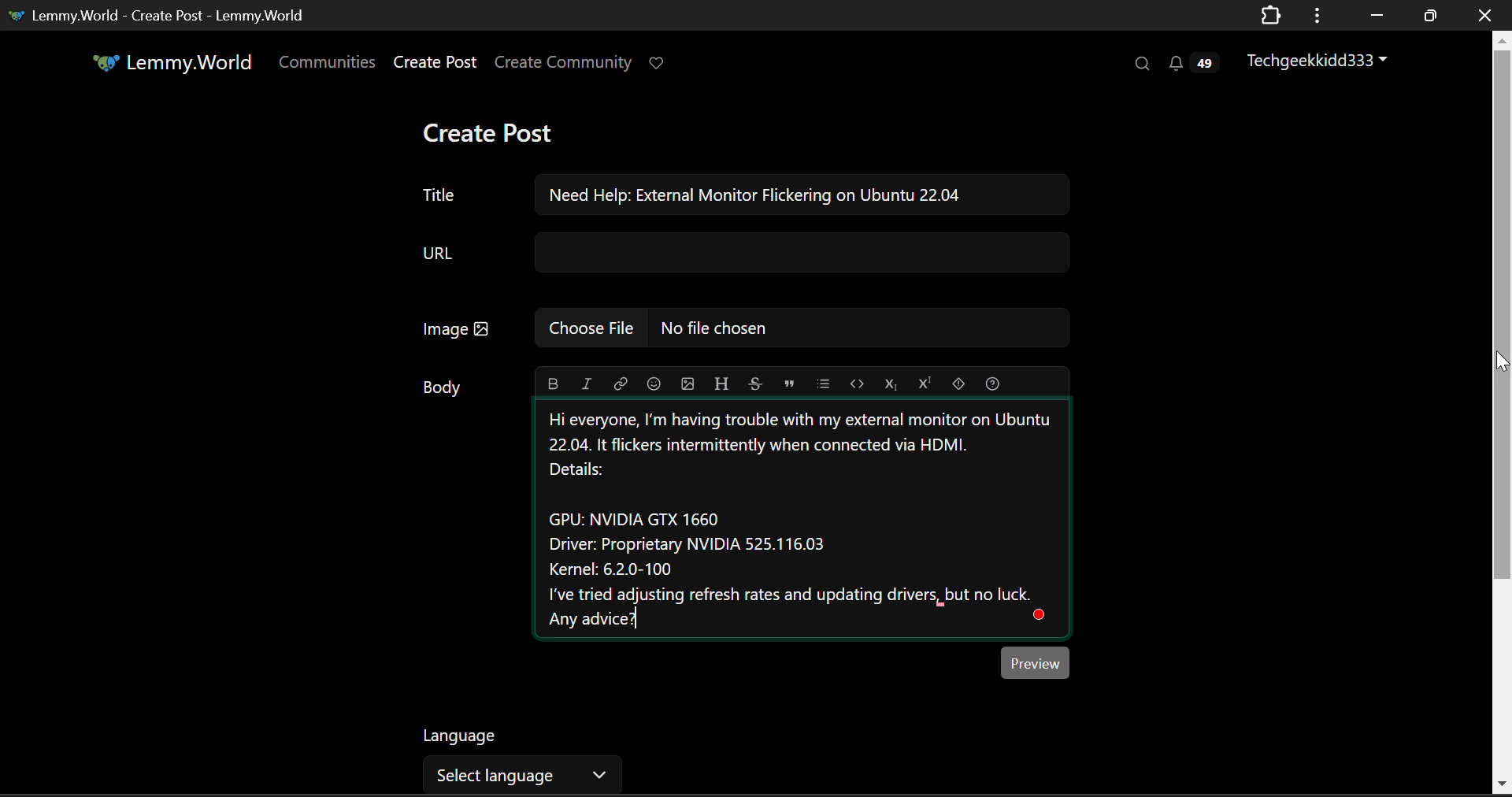 The image size is (1512, 797). Describe the element at coordinates (788, 384) in the screenshot. I see `Quote` at that location.